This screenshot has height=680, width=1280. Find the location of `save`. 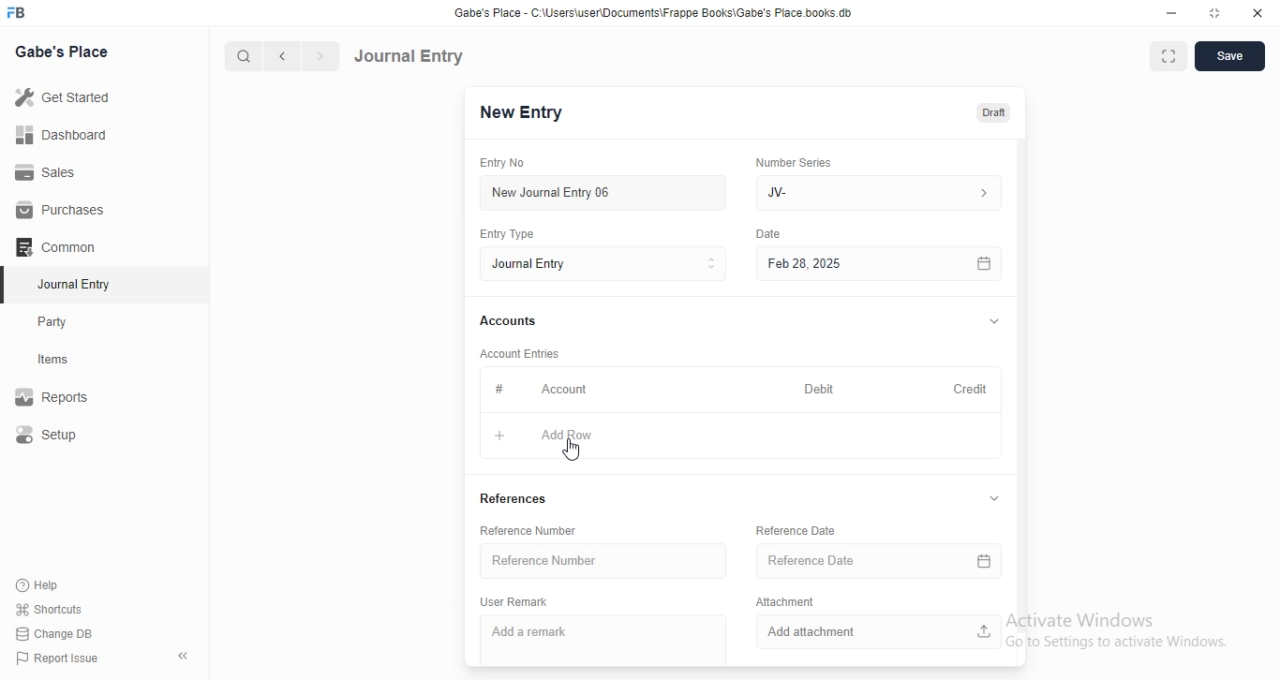

save is located at coordinates (1232, 56).